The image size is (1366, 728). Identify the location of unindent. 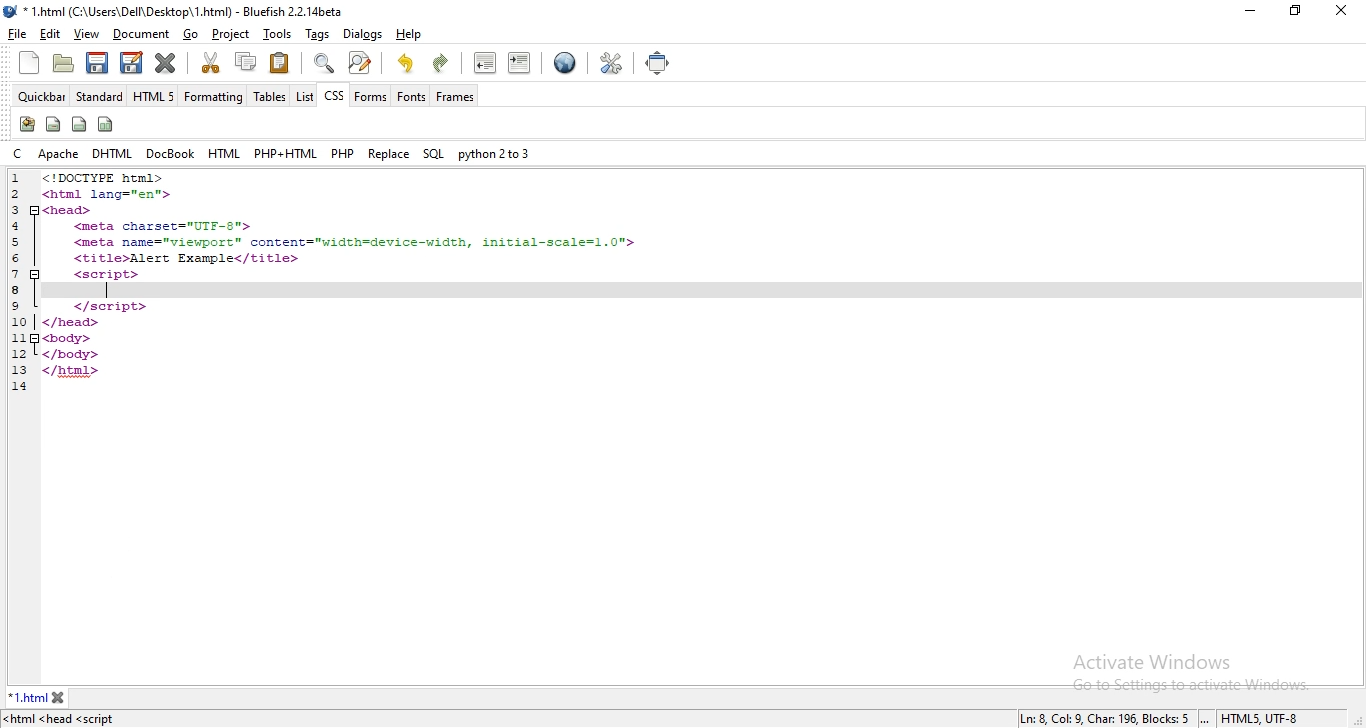
(485, 62).